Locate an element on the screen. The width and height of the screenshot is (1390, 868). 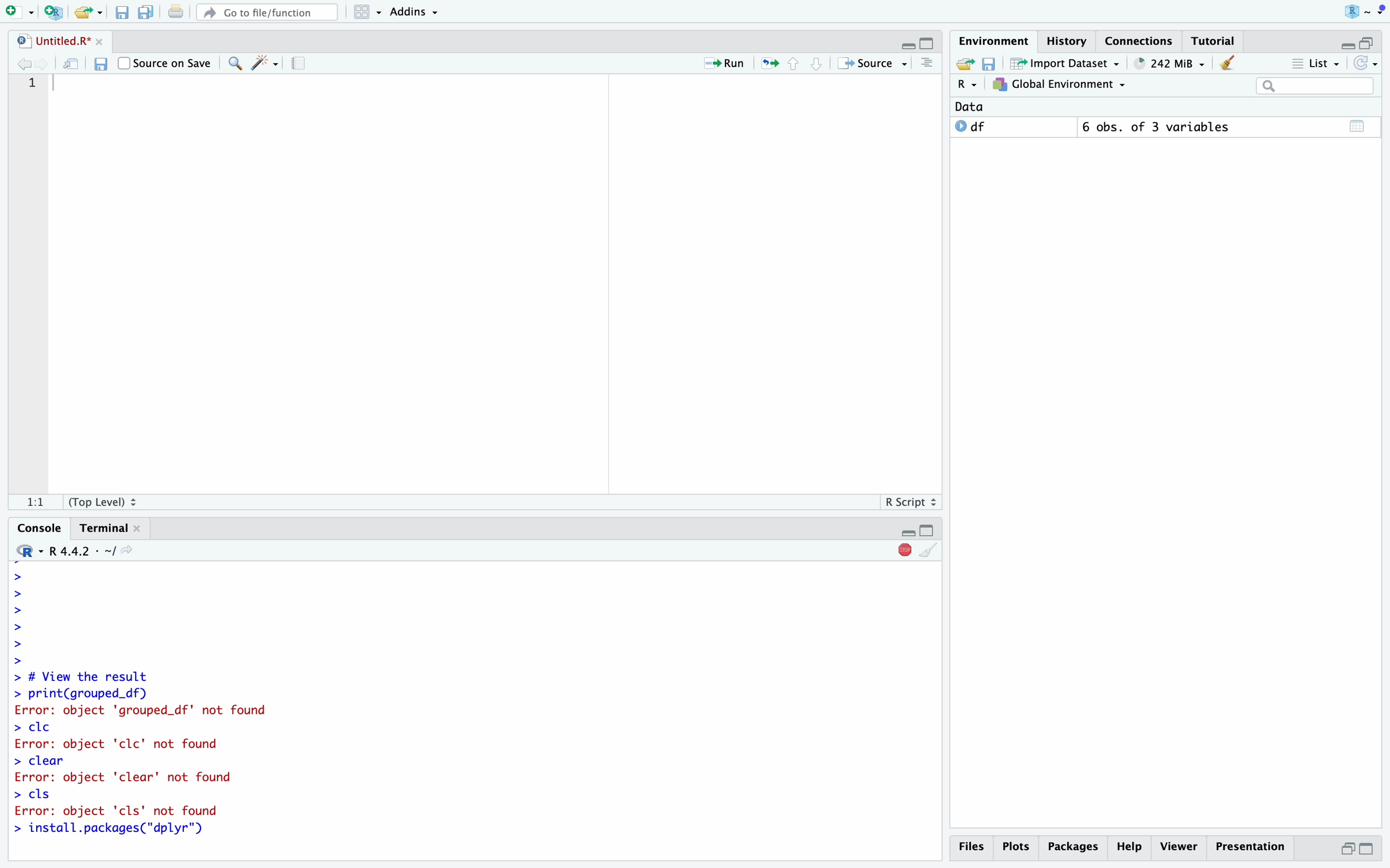
Save current file is located at coordinates (123, 13).